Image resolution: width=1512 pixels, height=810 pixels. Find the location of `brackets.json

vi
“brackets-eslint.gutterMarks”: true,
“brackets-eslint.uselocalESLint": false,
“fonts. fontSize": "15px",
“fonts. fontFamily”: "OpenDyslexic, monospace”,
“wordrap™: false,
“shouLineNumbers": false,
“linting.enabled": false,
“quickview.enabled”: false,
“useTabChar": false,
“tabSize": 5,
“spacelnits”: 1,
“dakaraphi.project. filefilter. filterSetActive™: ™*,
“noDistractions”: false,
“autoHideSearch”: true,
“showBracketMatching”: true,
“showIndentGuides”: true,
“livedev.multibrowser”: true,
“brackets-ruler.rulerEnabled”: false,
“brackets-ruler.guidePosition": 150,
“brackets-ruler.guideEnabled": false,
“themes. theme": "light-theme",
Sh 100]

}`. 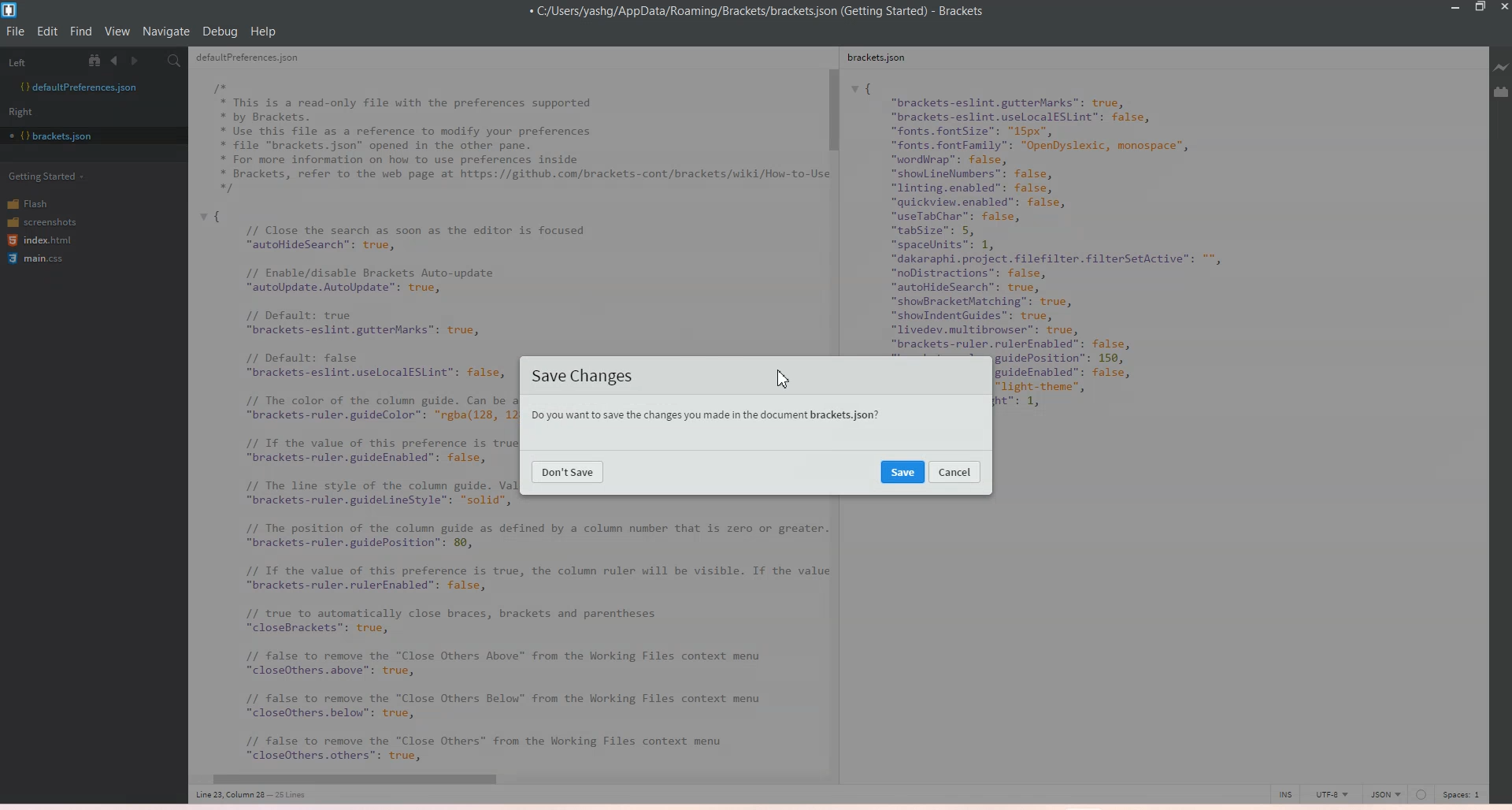

brackets.json

vi
“brackets-eslint.gutterMarks”: true,
“brackets-eslint.uselocalESLint": false,
“fonts. fontSize": "15px",
“fonts. fontFamily”: "OpenDyslexic, monospace”,
“wordrap™: false,
“shouLineNumbers": false,
“linting.enabled": false,
“quickview.enabled”: false,
“useTabChar": false,
“tabSize": 5,
“spacelnits”: 1,
“dakaraphi.project. filefilter. filterSetActive™: ™*,
“noDistractions”: false,
“autoHideSearch”: true,
“showBracketMatching”: true,
“showIndentGuides”: true,
“livedev.multibrowser”: true,
“brackets-ruler.rulerEnabled”: false,
“brackets-ruler.guidePosition": 150,
“brackets-ruler.guideEnabled": false,
“themes. theme": "light-theme",
Sh 100]

} is located at coordinates (1084, 212).